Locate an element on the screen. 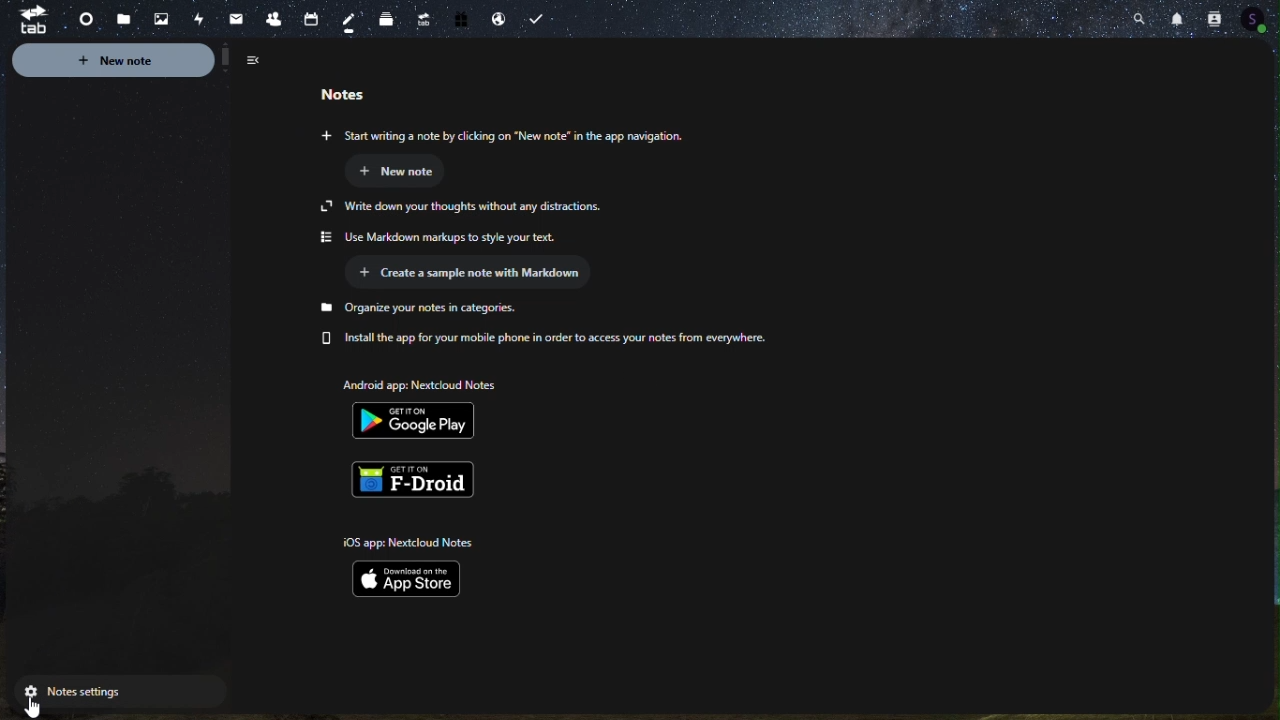 The height and width of the screenshot is (720, 1280). ‘Organize your notes in categories. is located at coordinates (422, 310).